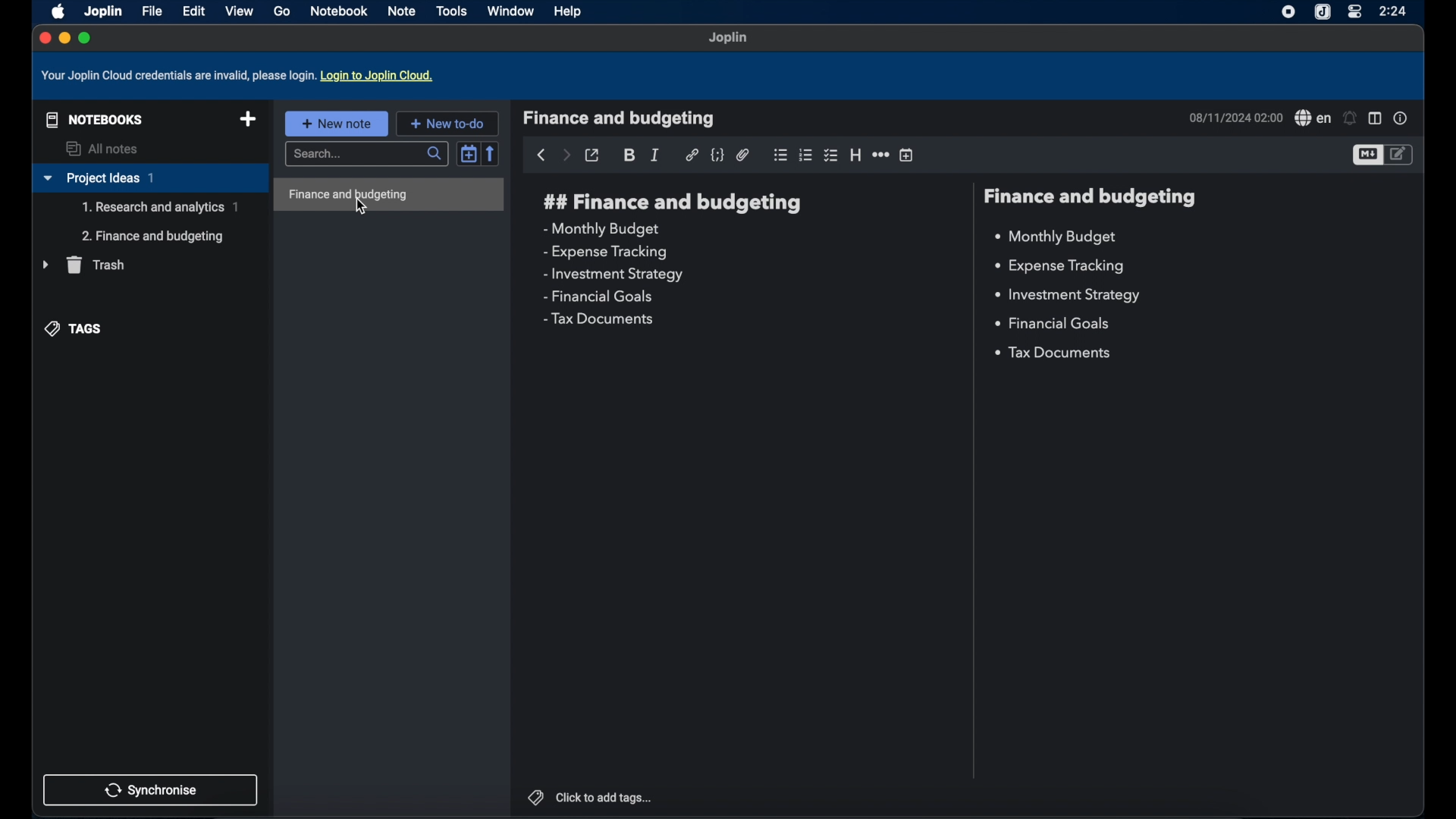 The width and height of the screenshot is (1456, 819). Describe the element at coordinates (656, 155) in the screenshot. I see `italic` at that location.